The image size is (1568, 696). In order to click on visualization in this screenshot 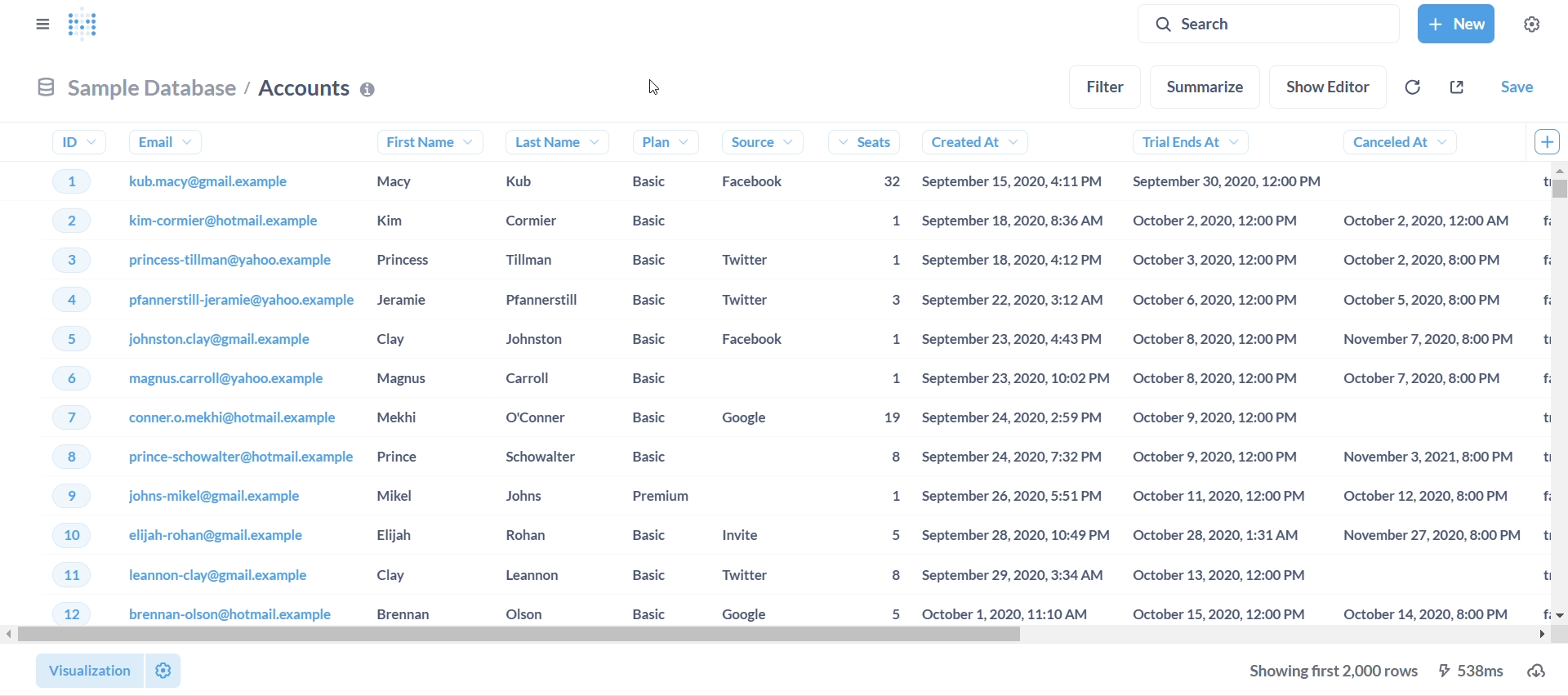, I will do `click(89, 671)`.